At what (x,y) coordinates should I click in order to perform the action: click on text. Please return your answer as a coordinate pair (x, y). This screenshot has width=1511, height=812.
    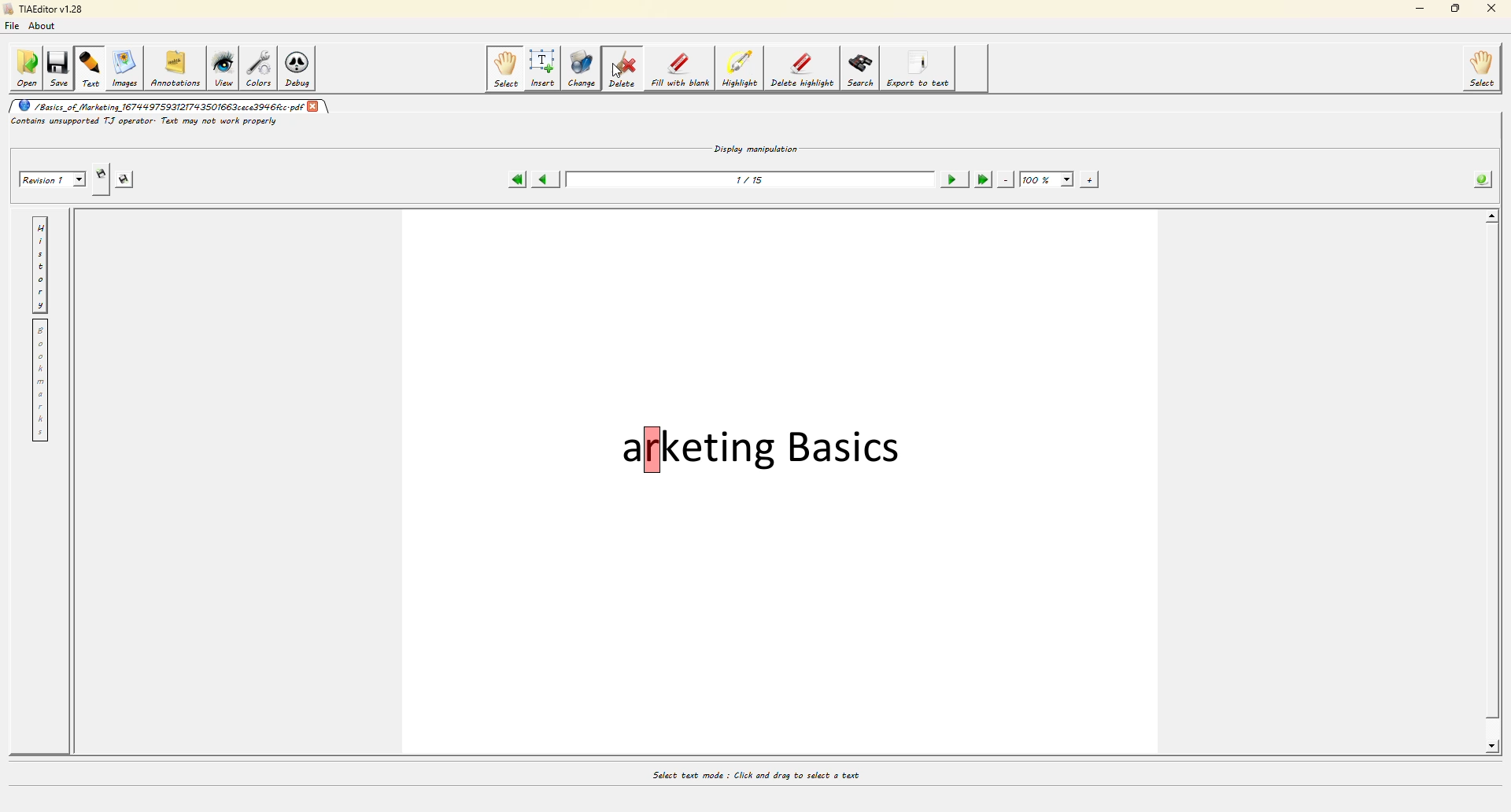
    Looking at the image, I should click on (91, 68).